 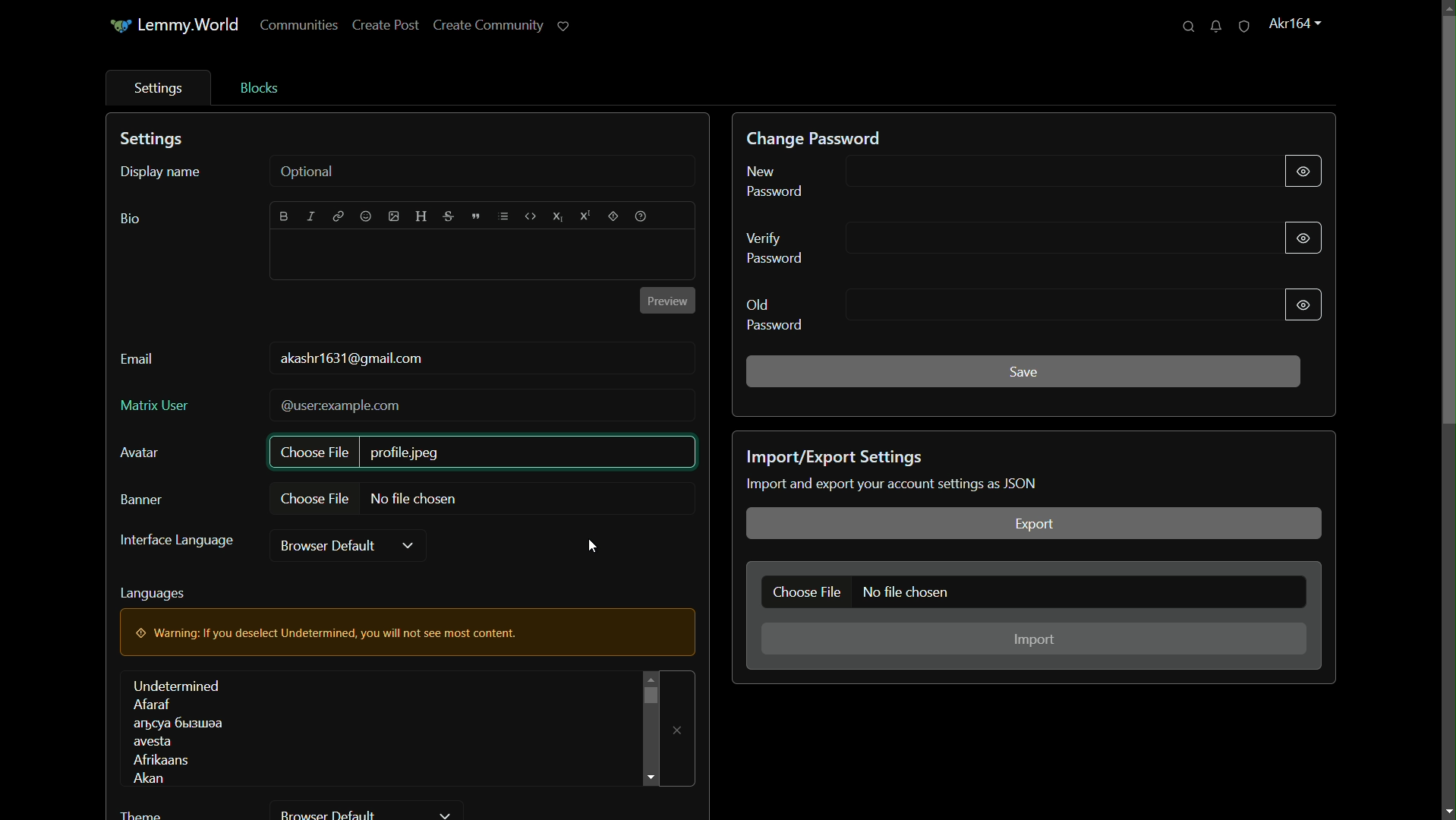 I want to click on bold, so click(x=285, y=216).